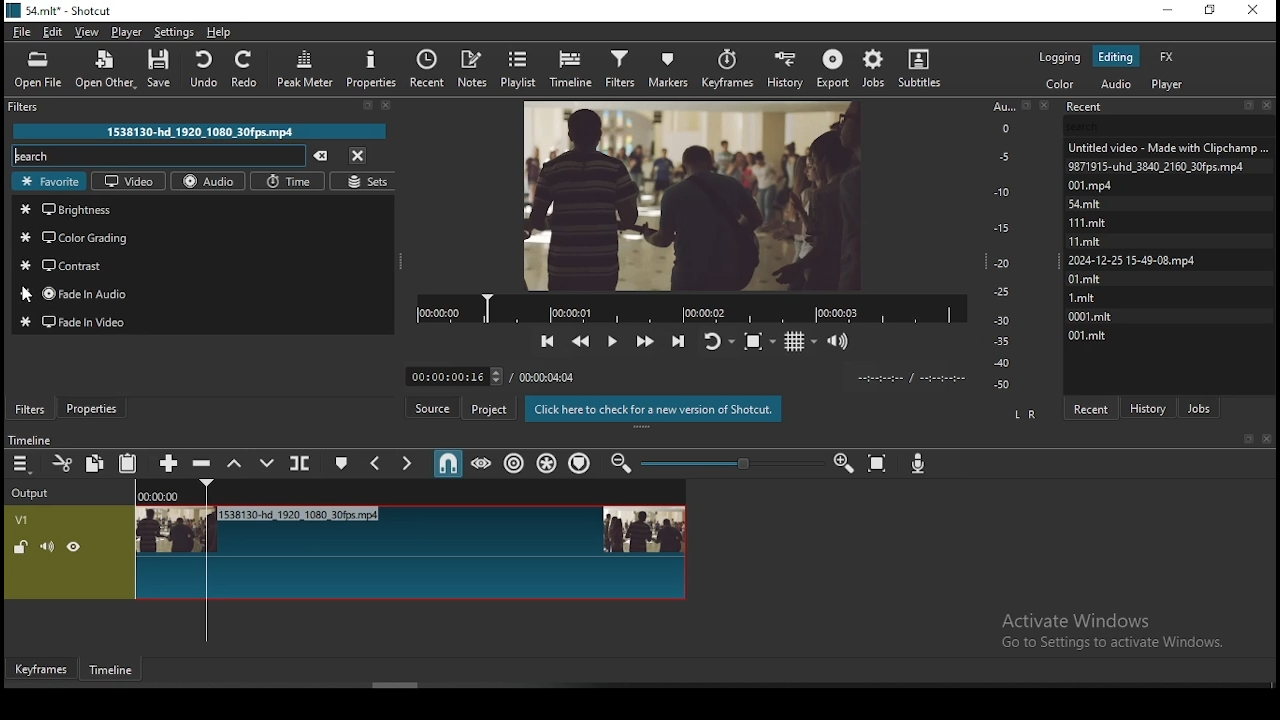 The image size is (1280, 720). Describe the element at coordinates (927, 69) in the screenshot. I see `subtitles` at that location.